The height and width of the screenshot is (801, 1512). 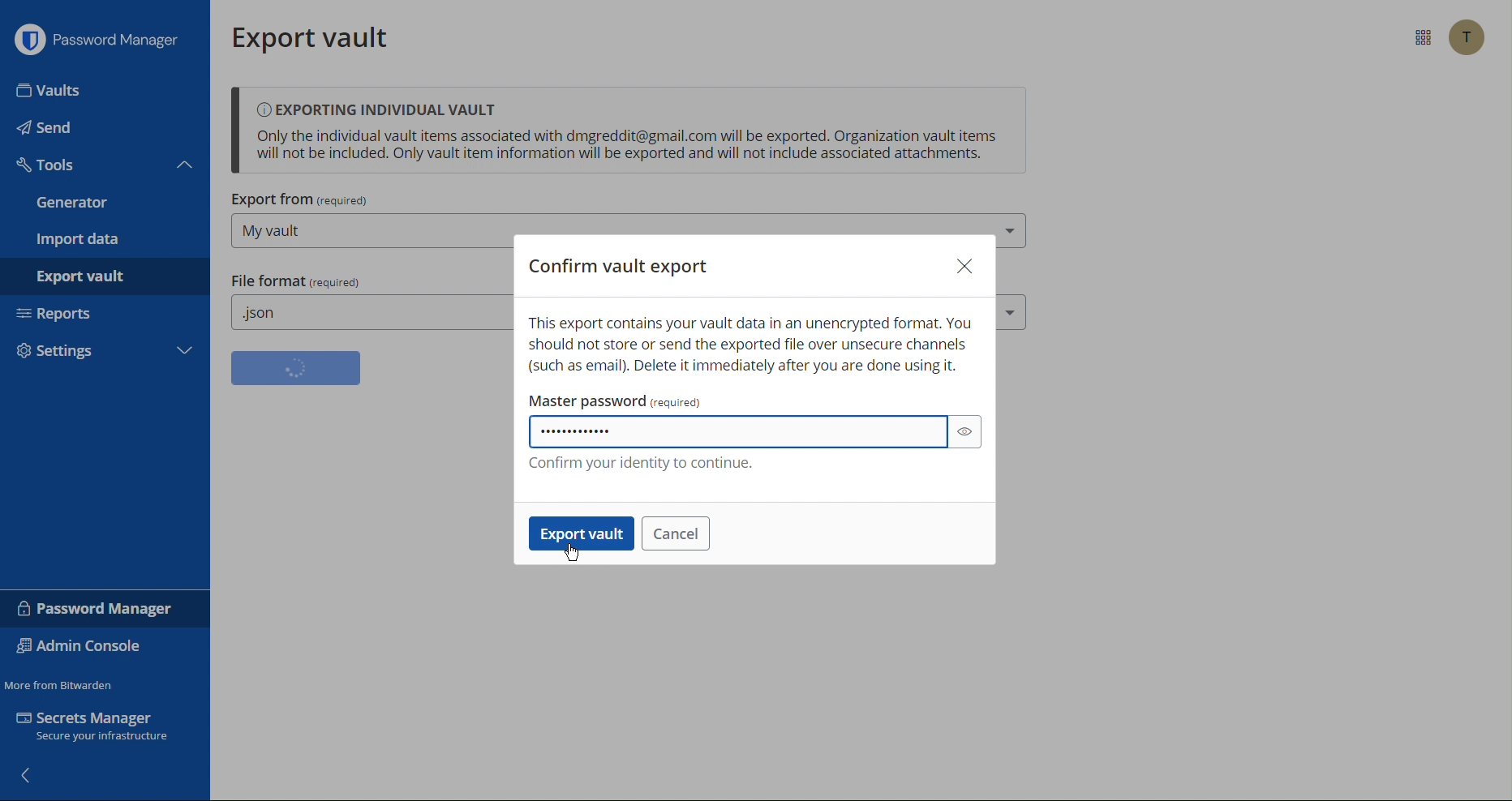 I want to click on Password Manager, so click(x=93, y=608).